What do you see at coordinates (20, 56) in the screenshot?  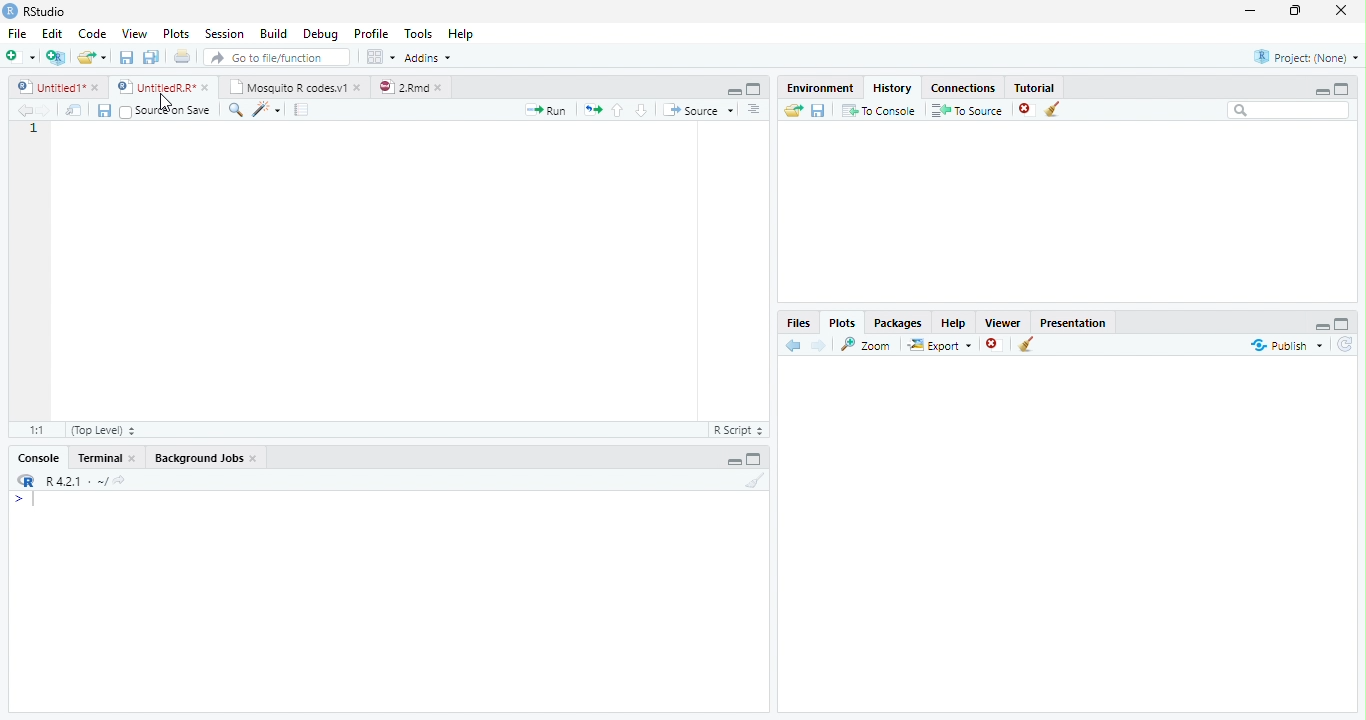 I see `New File` at bounding box center [20, 56].